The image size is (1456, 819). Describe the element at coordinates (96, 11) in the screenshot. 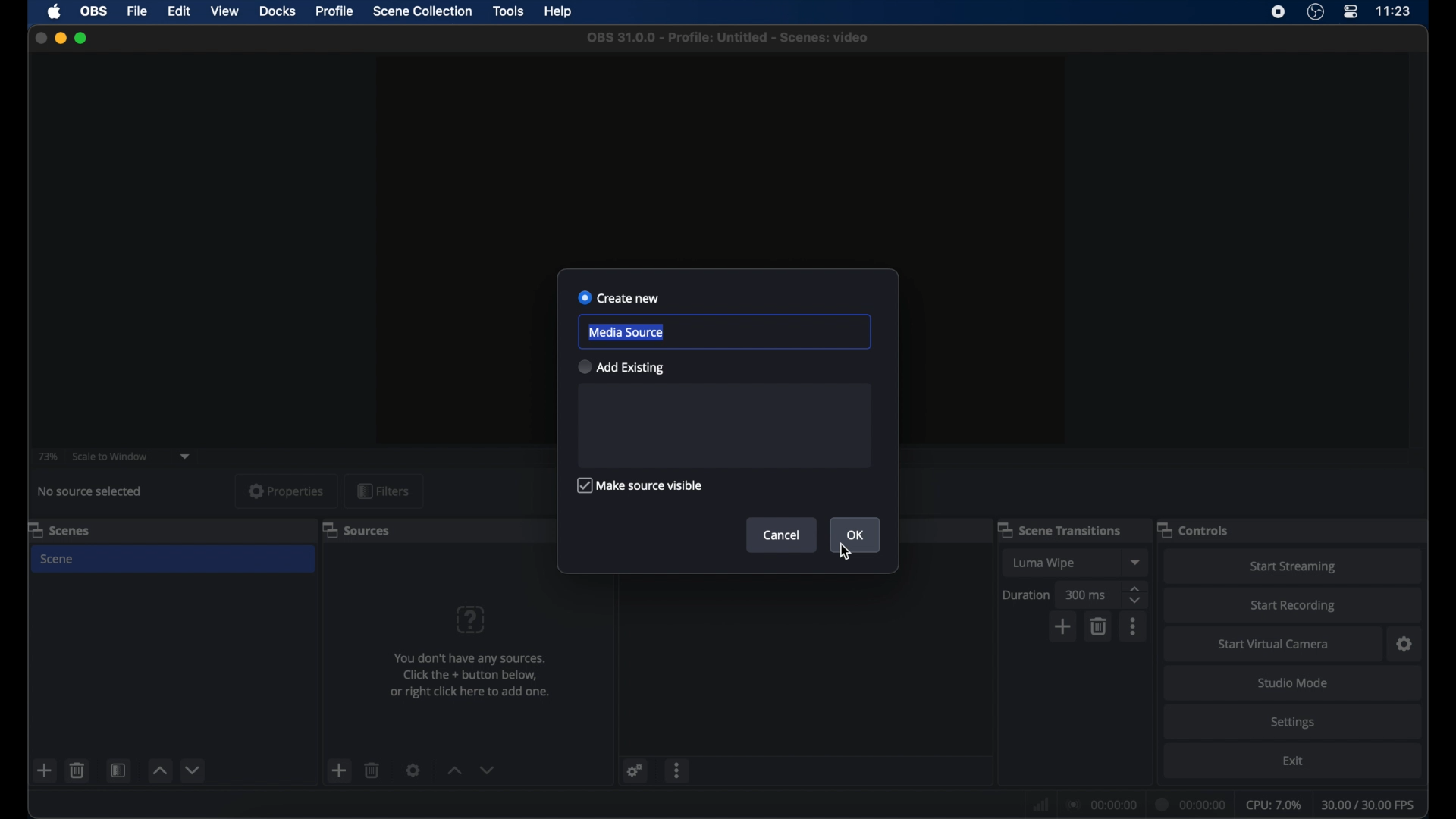

I see `obs` at that location.